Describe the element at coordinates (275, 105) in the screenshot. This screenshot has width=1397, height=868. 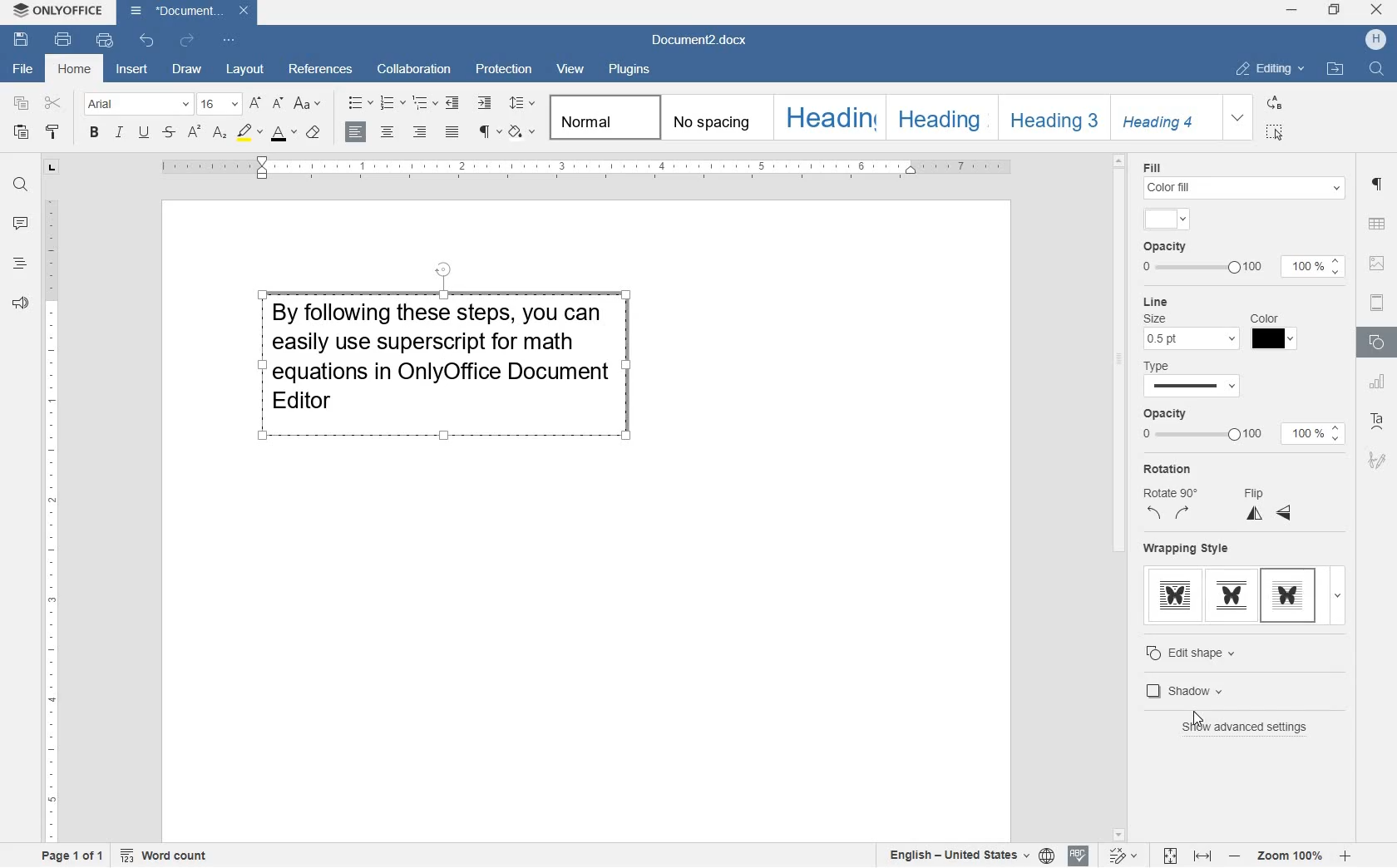
I see `decrement font size` at that location.